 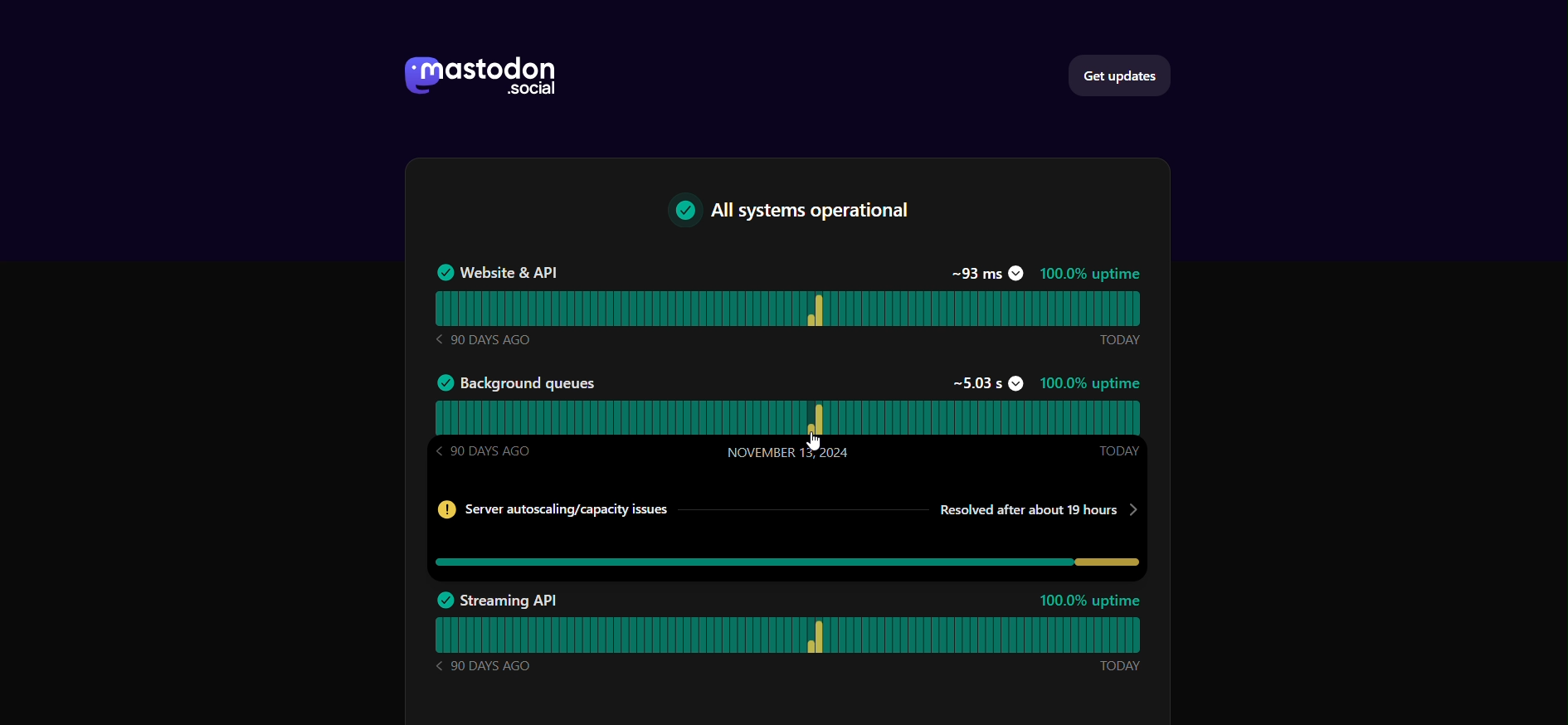 I want to click on website & API Status, so click(x=786, y=307).